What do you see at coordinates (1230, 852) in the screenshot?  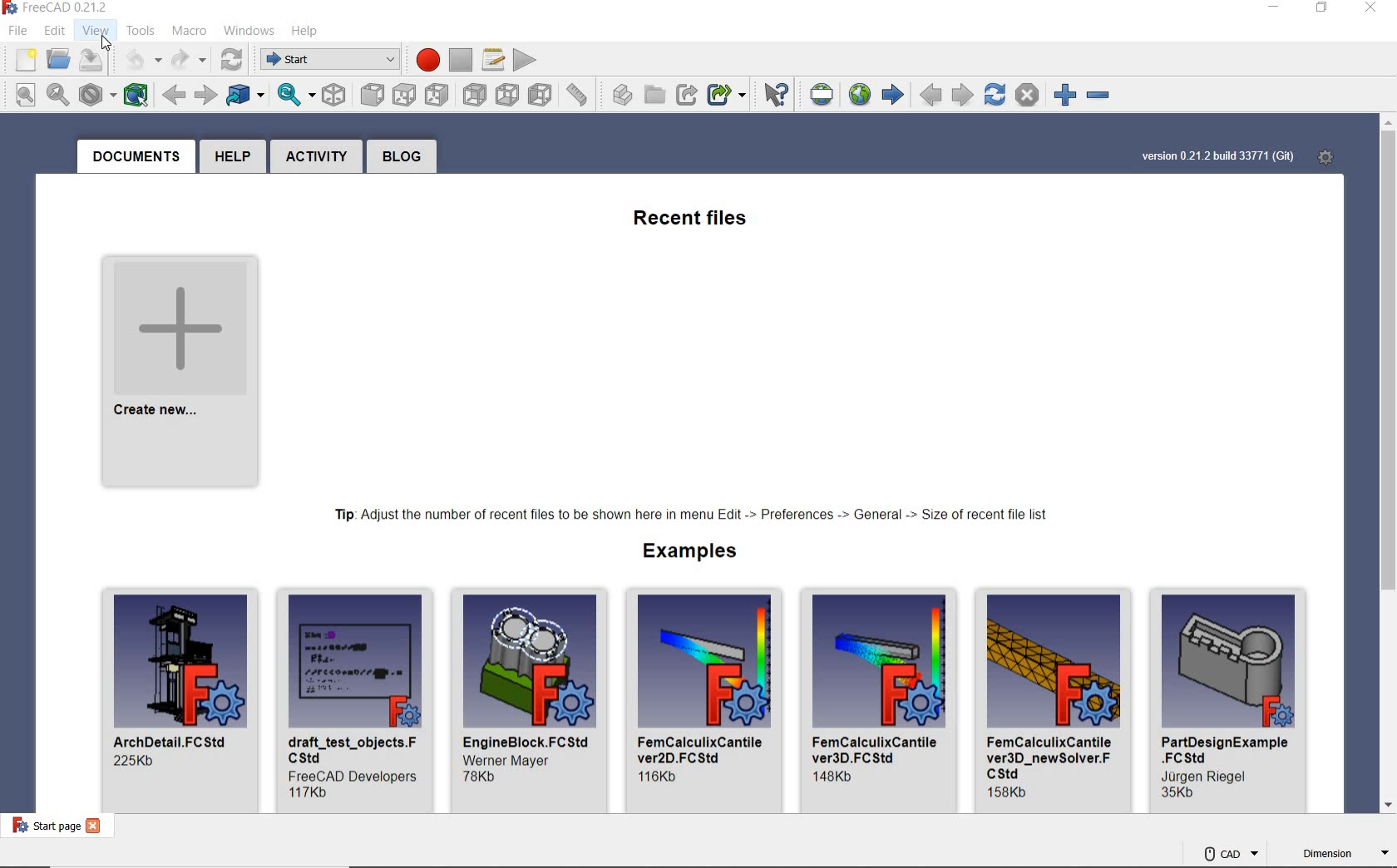 I see `cad navigation style` at bounding box center [1230, 852].